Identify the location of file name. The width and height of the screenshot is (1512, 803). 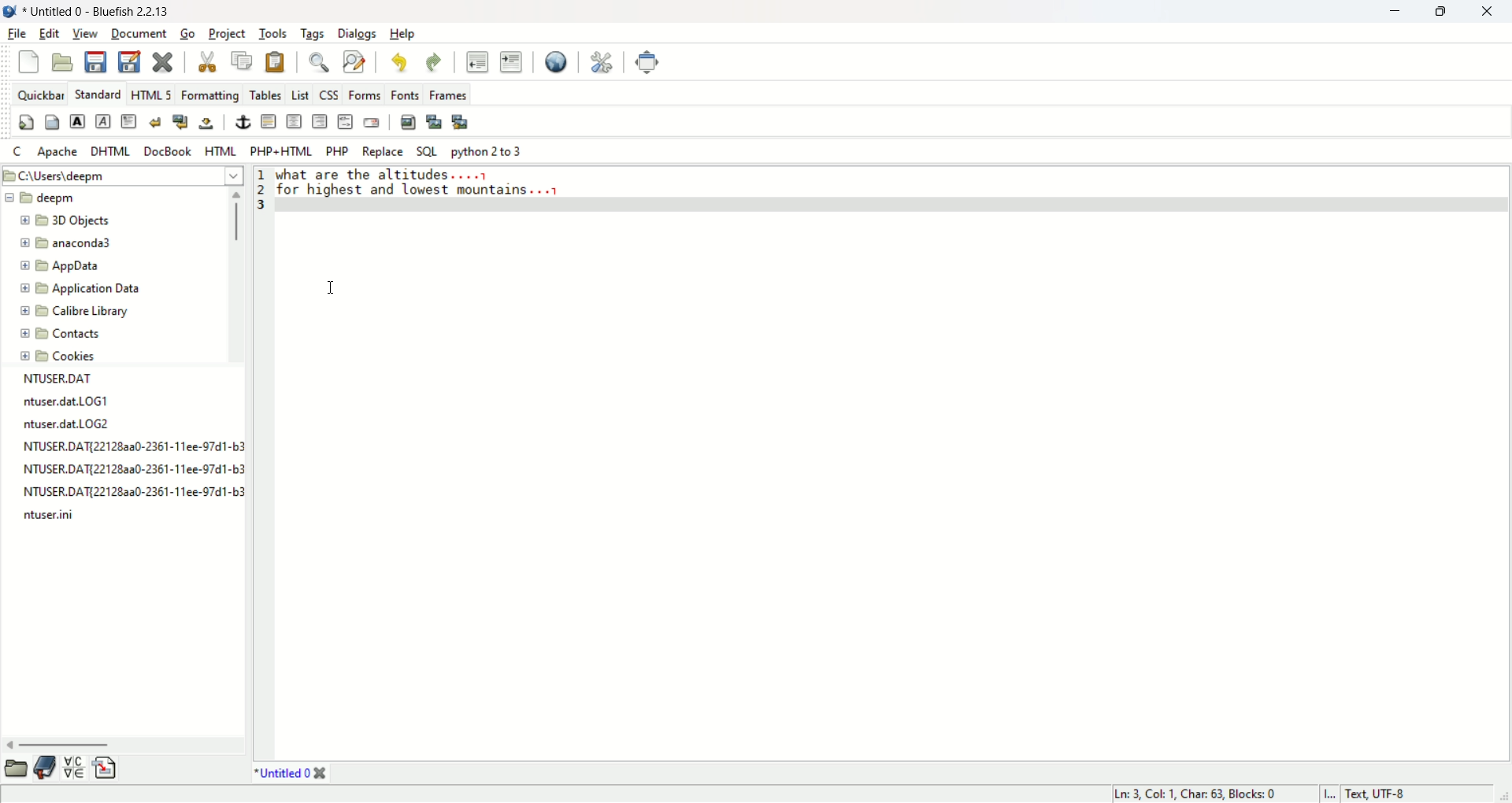
(133, 494).